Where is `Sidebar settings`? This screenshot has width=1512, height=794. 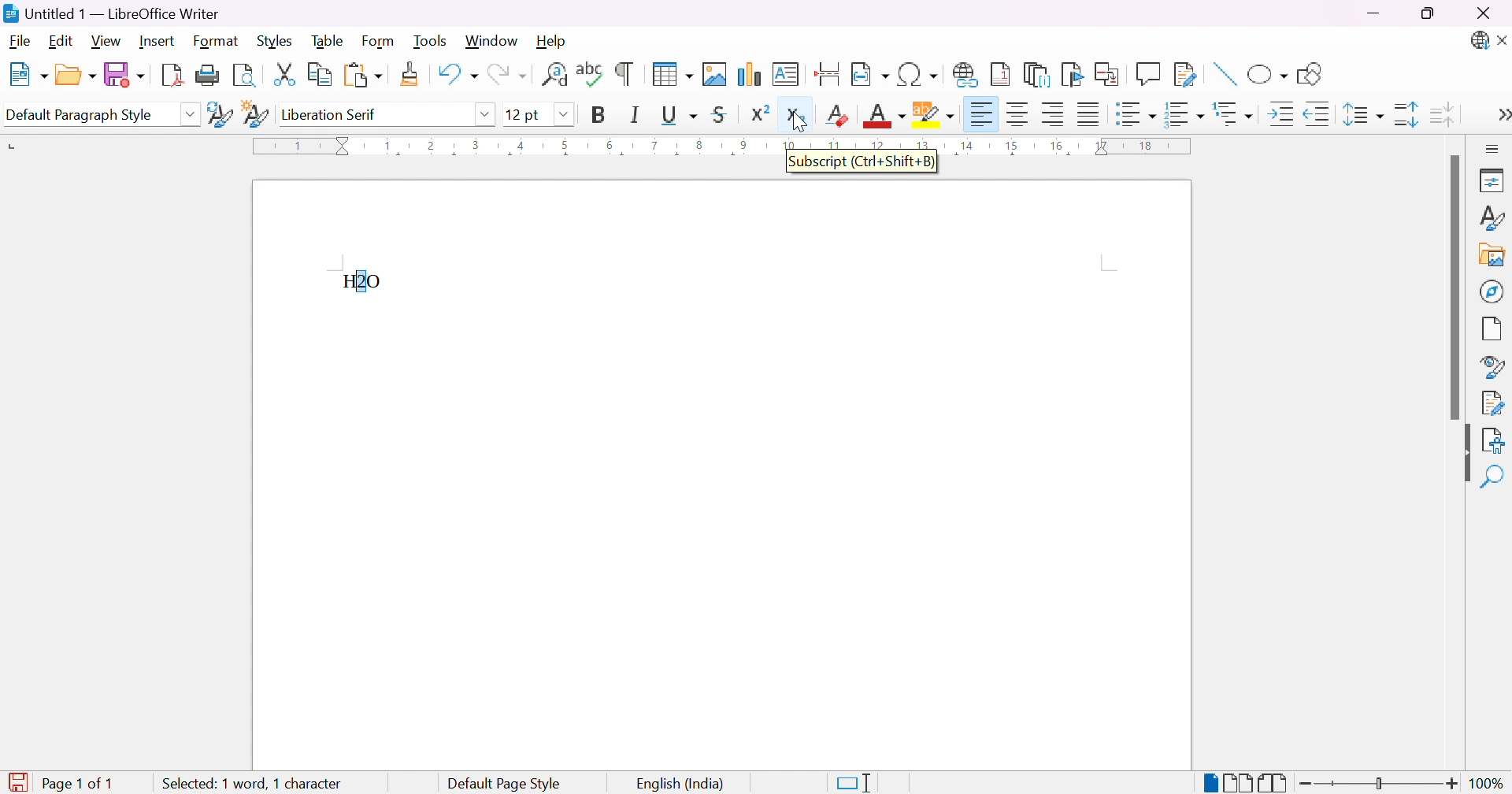 Sidebar settings is located at coordinates (1494, 148).